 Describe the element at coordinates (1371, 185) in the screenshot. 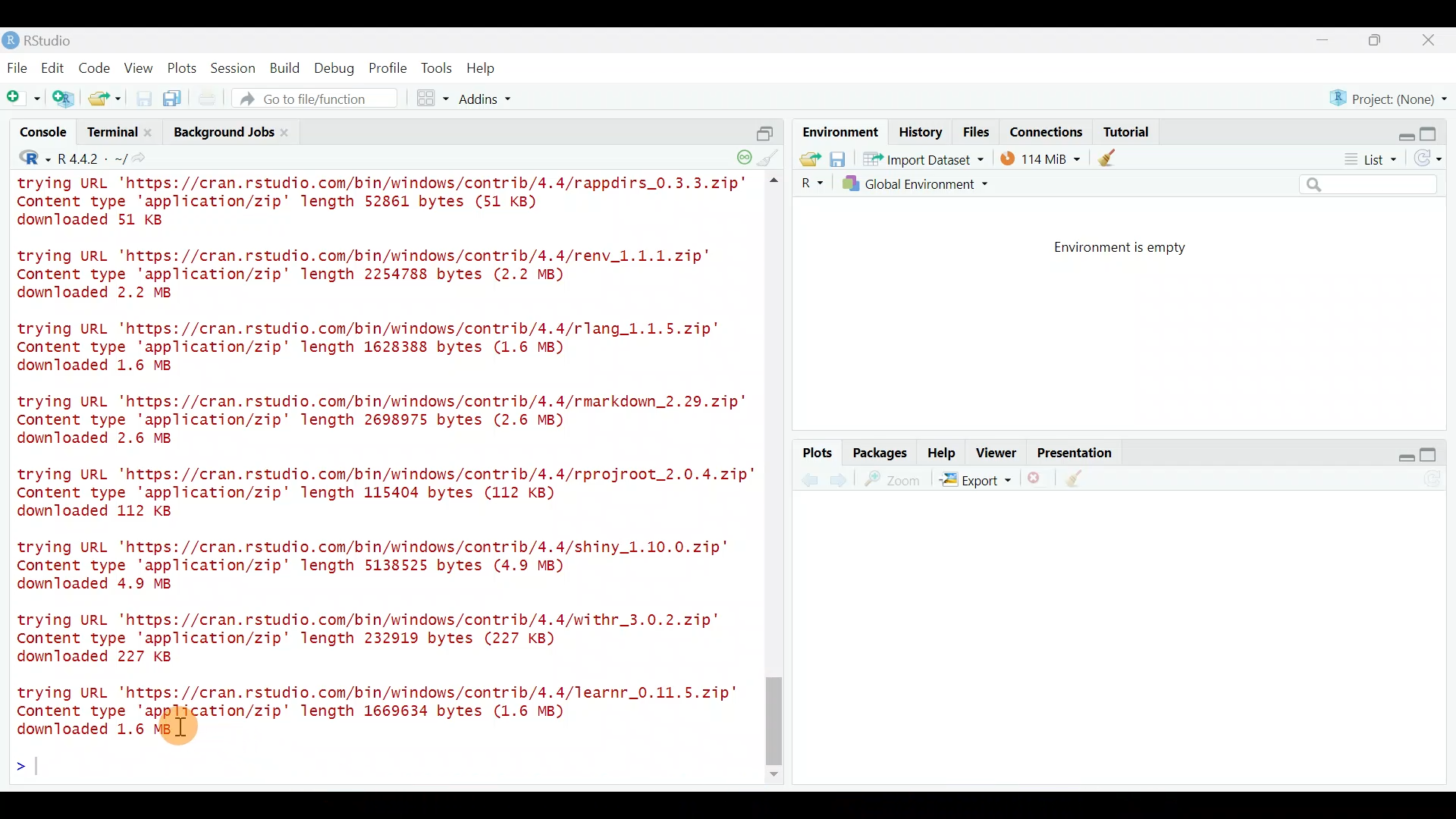

I see `Search bar` at that location.